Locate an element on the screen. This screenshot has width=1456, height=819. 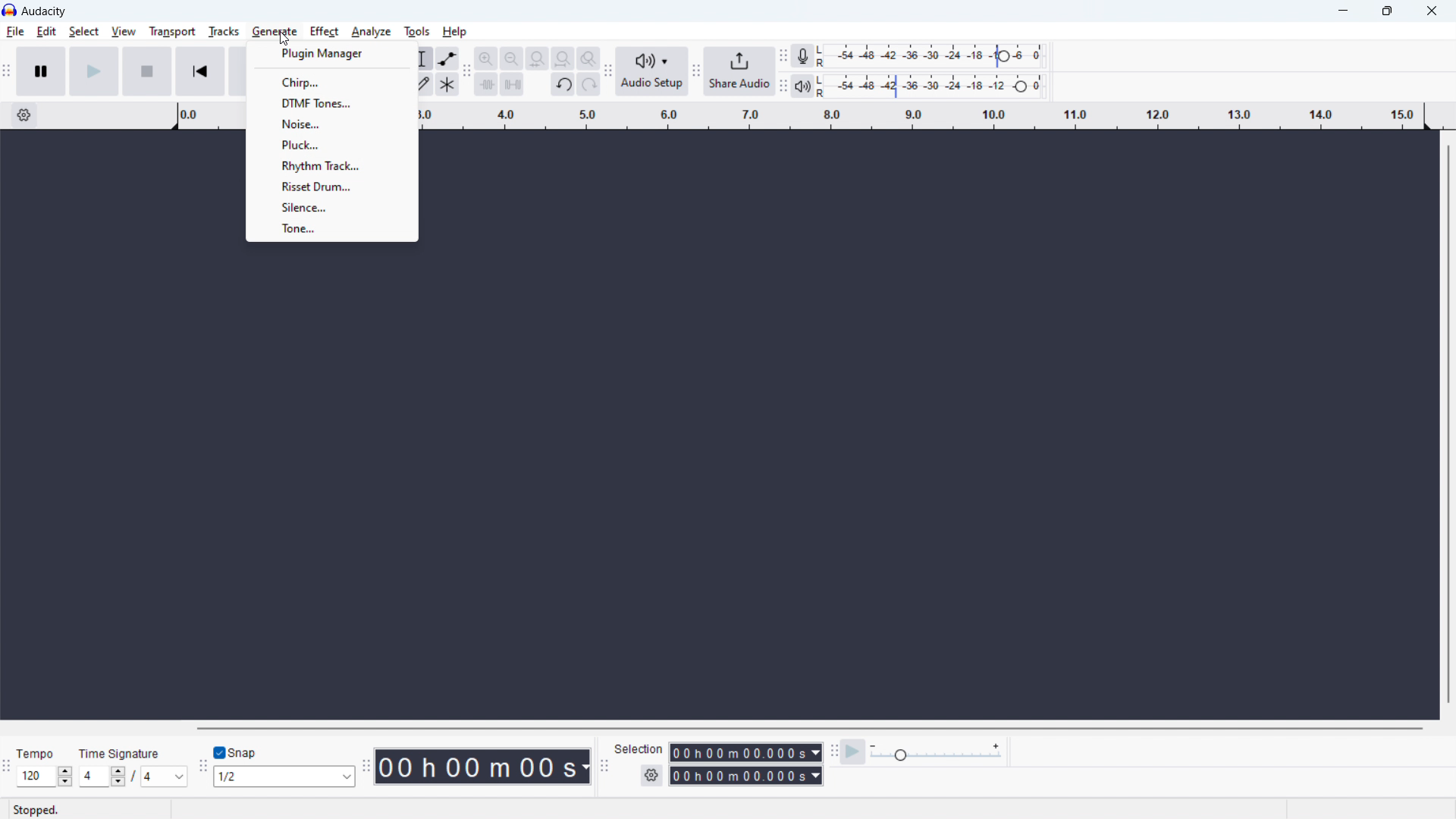
close is located at coordinates (1432, 10).